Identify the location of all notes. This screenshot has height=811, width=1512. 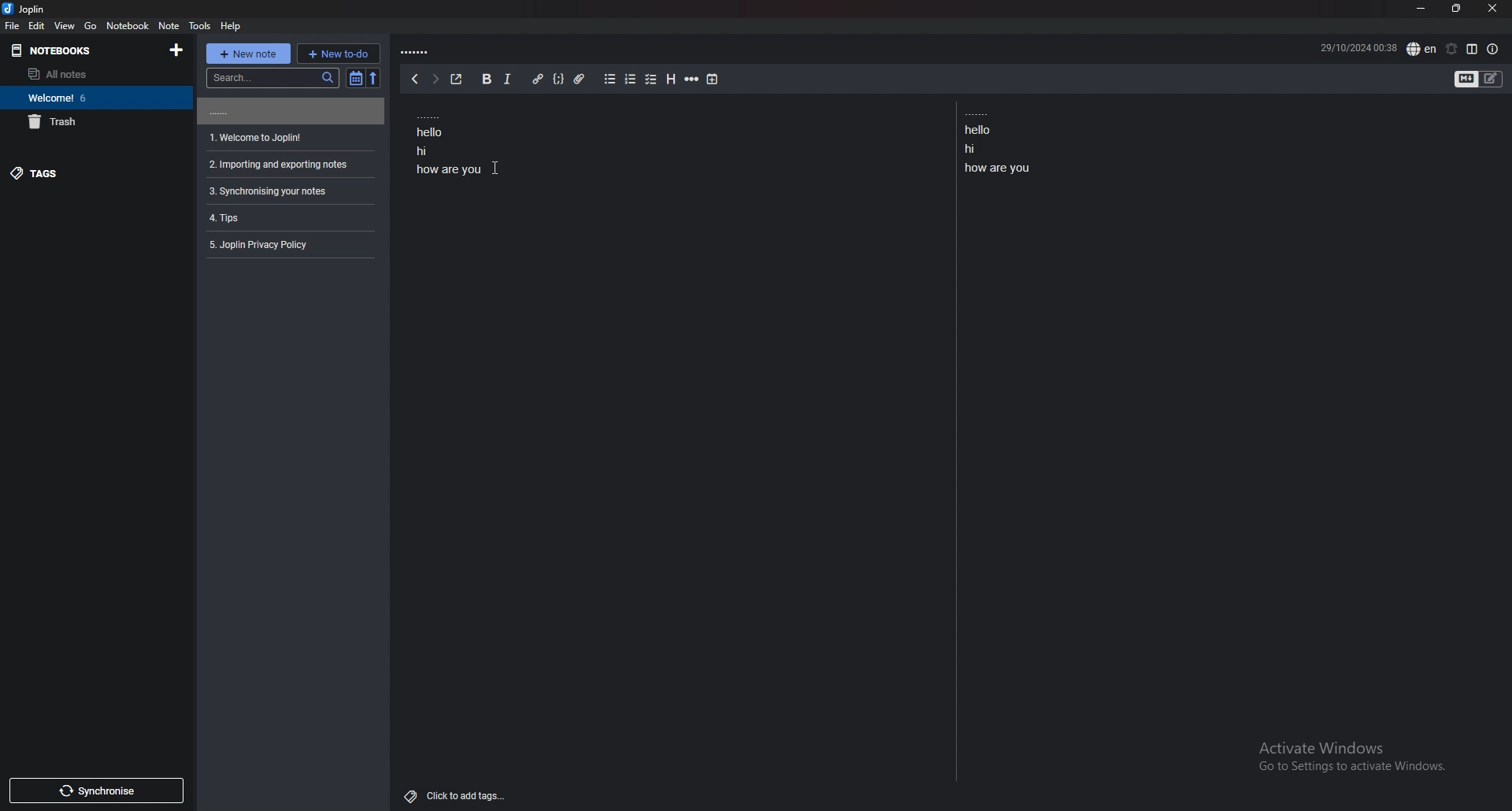
(88, 73).